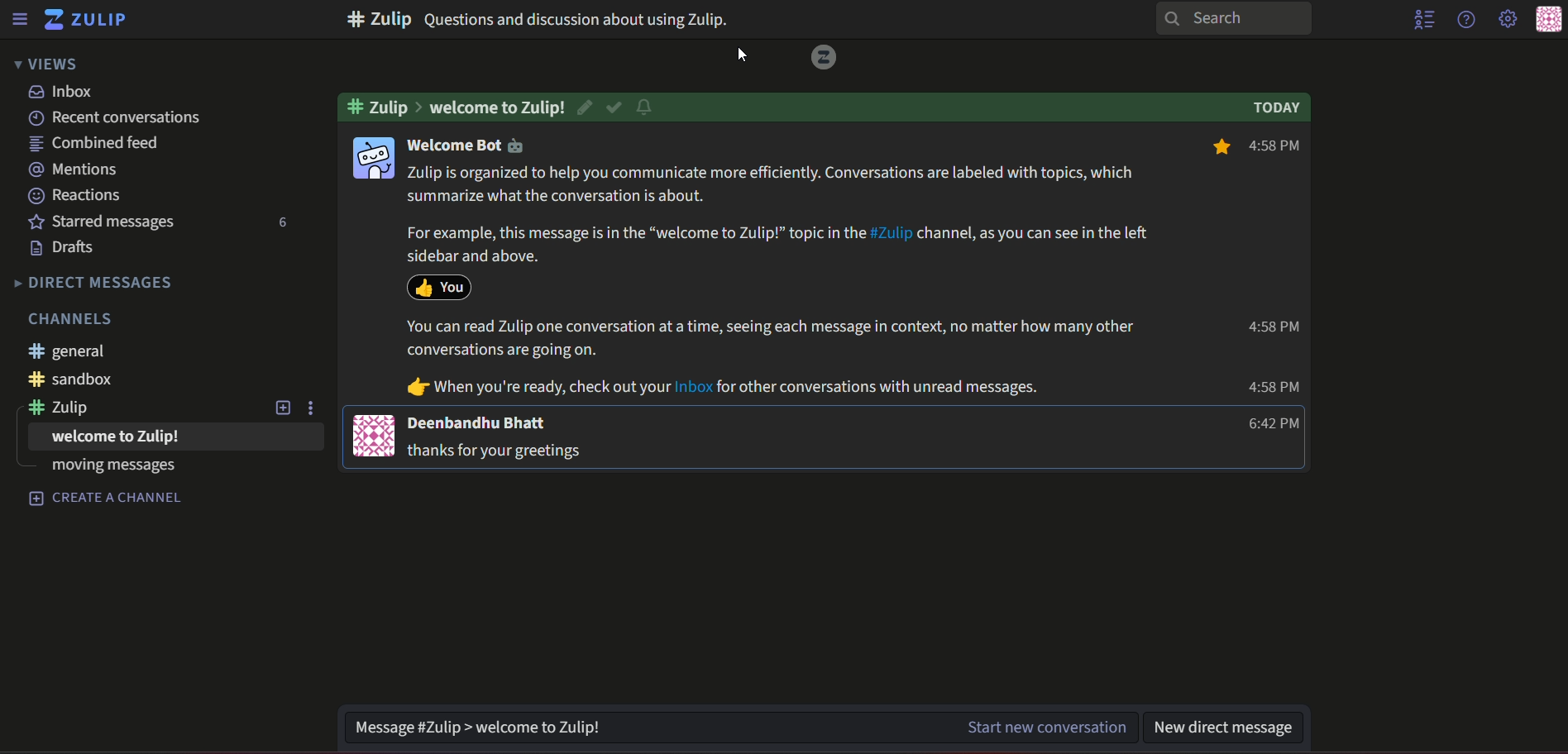  Describe the element at coordinates (1239, 19) in the screenshot. I see `search bar` at that location.